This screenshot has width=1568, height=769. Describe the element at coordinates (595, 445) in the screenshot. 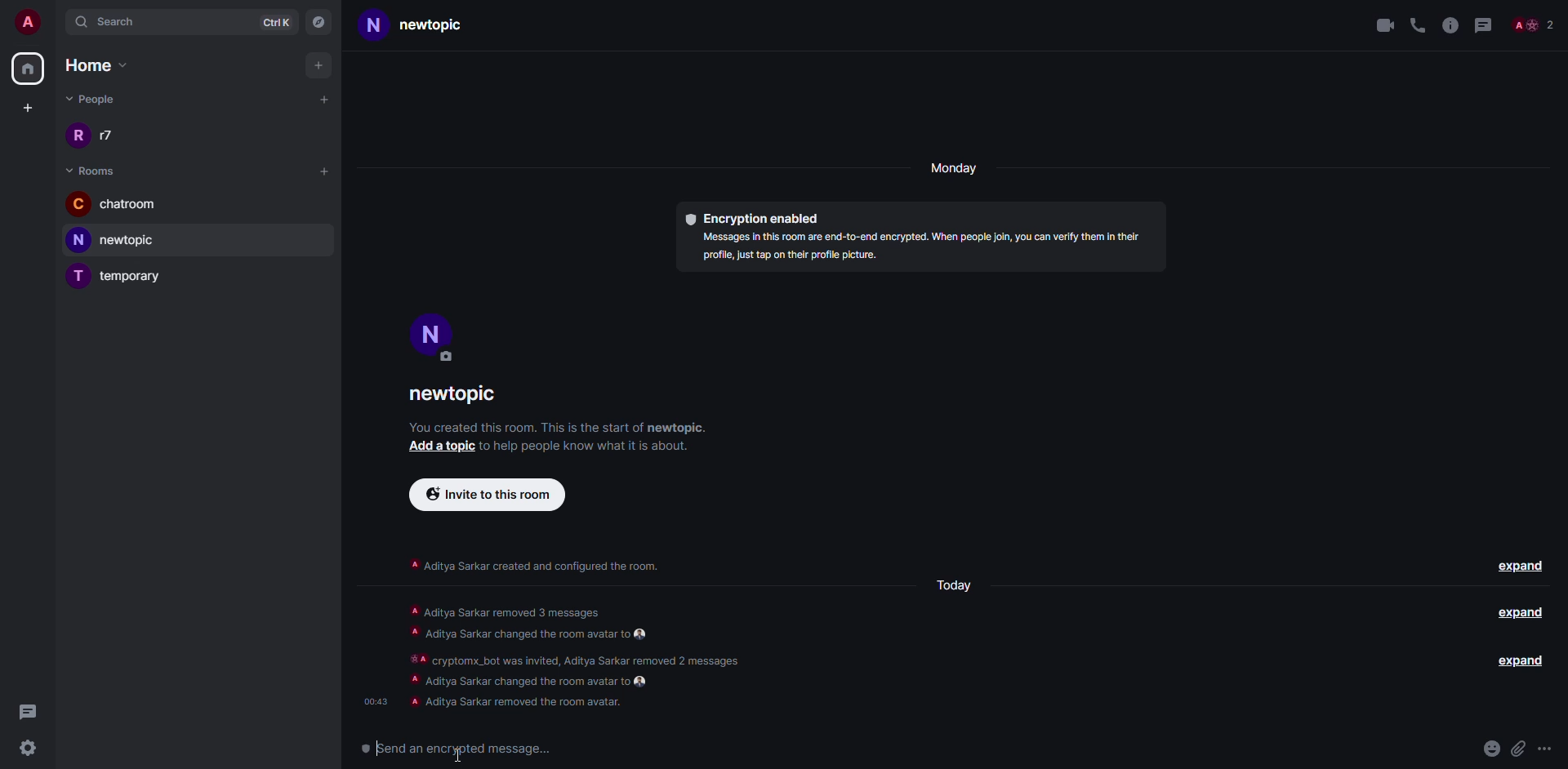

I see `s to help people know what it is about.` at that location.